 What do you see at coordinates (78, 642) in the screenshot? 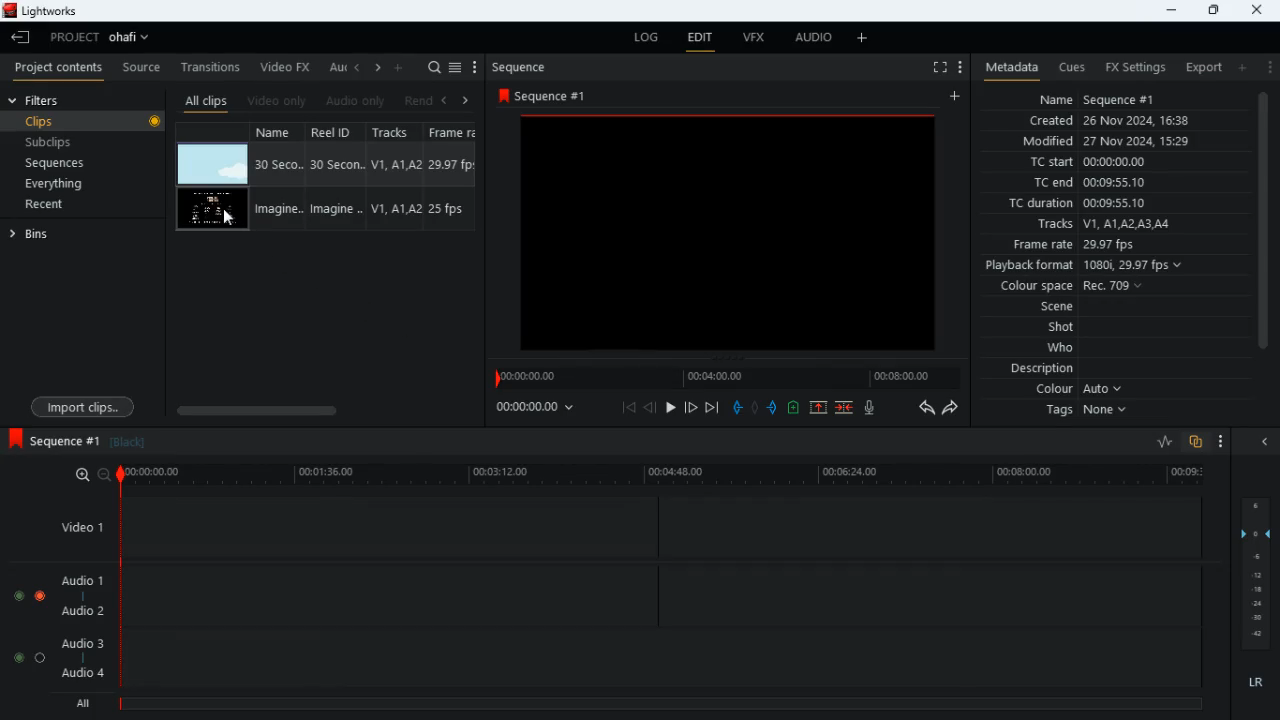
I see `audio 3` at bounding box center [78, 642].